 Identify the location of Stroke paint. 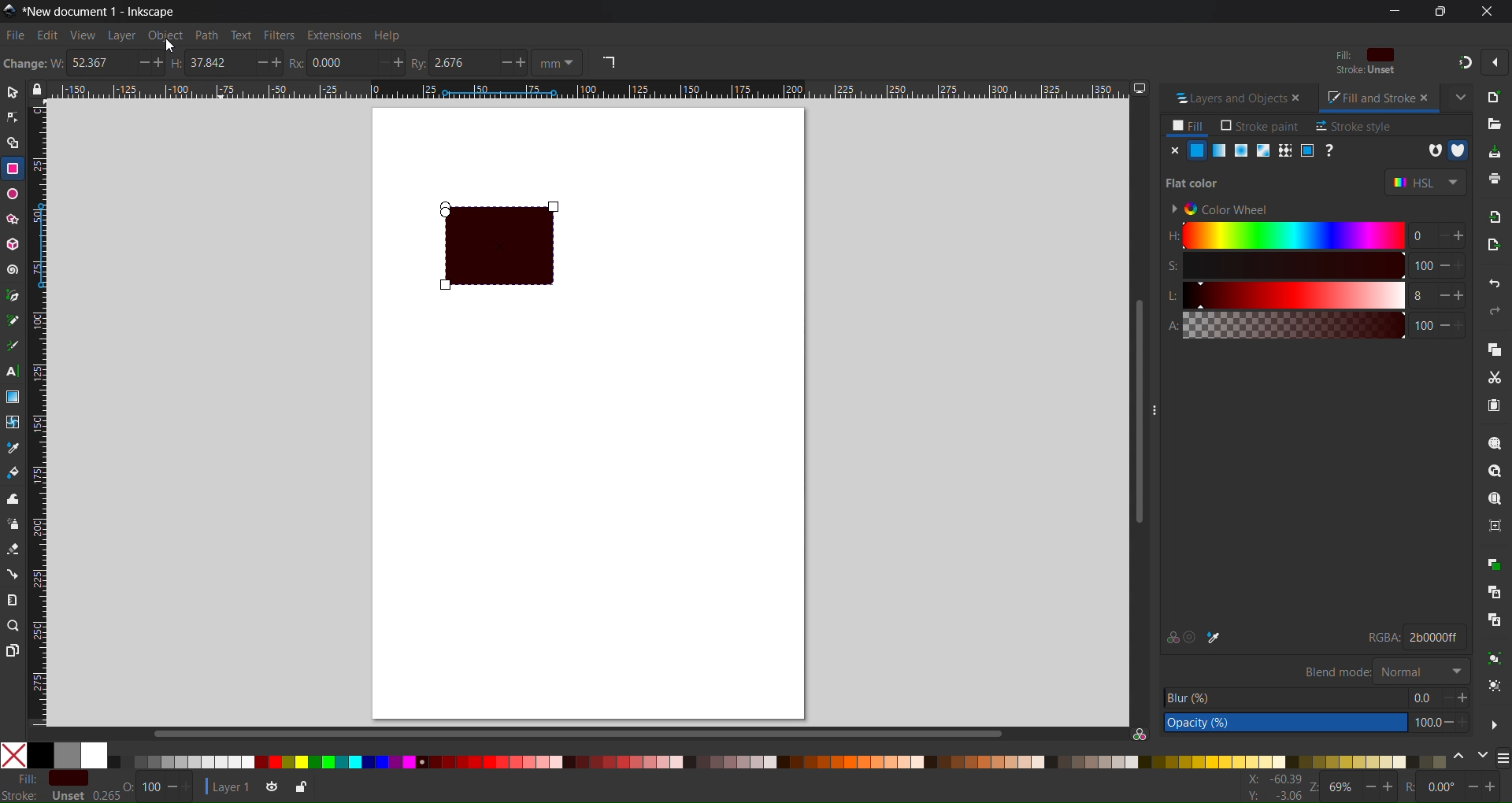
(1260, 126).